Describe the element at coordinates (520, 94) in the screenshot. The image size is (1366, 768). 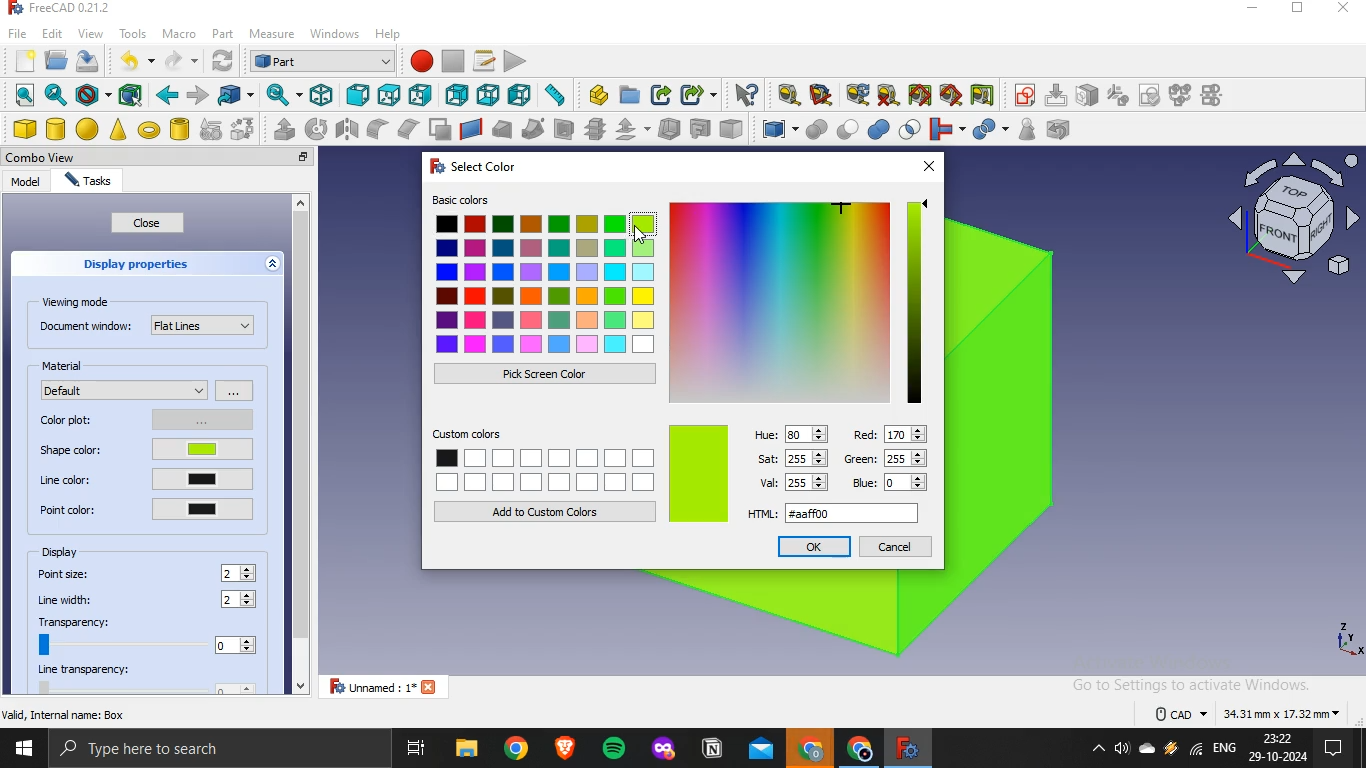
I see `left` at that location.